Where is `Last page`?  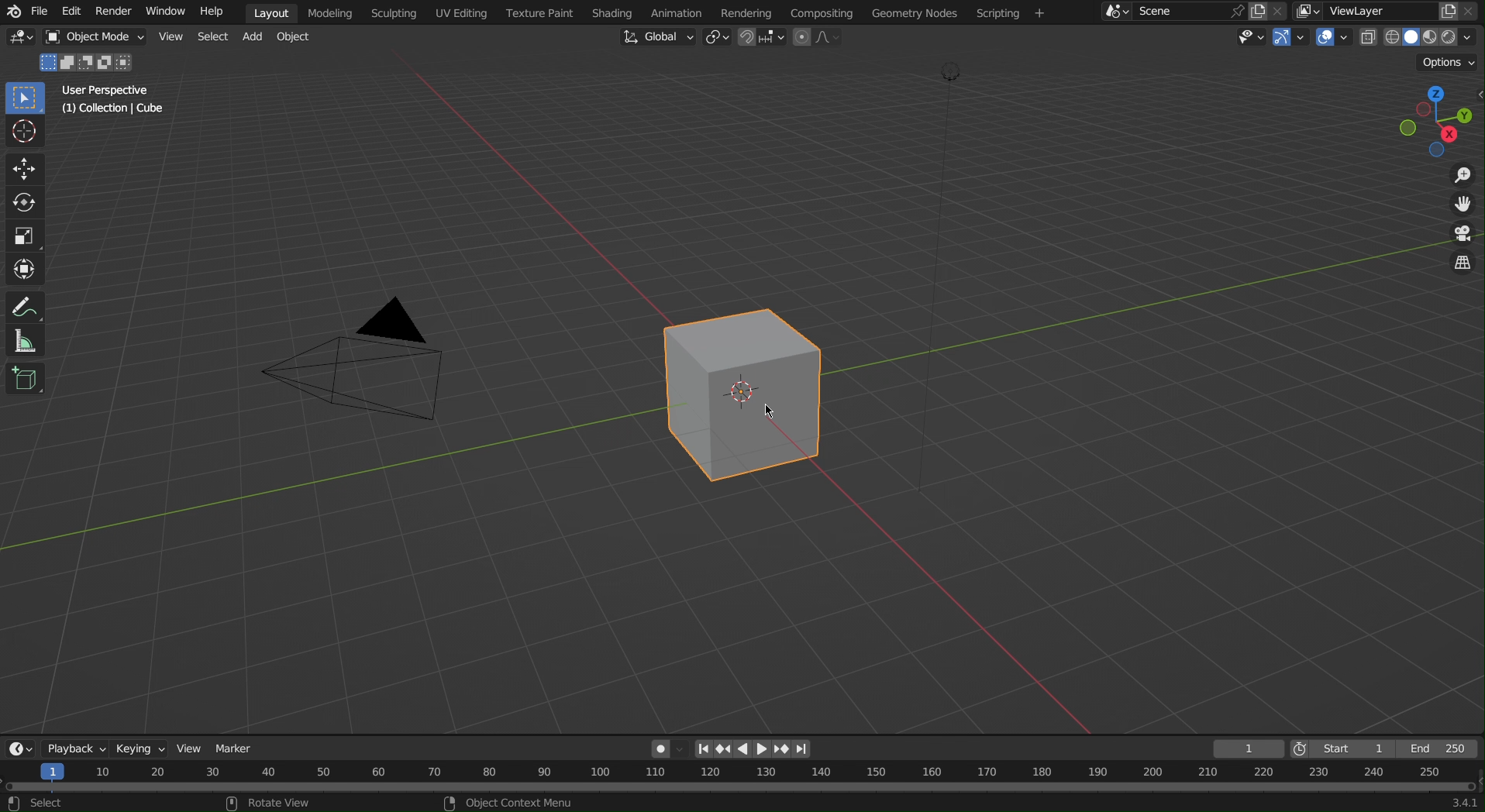
Last page is located at coordinates (801, 750).